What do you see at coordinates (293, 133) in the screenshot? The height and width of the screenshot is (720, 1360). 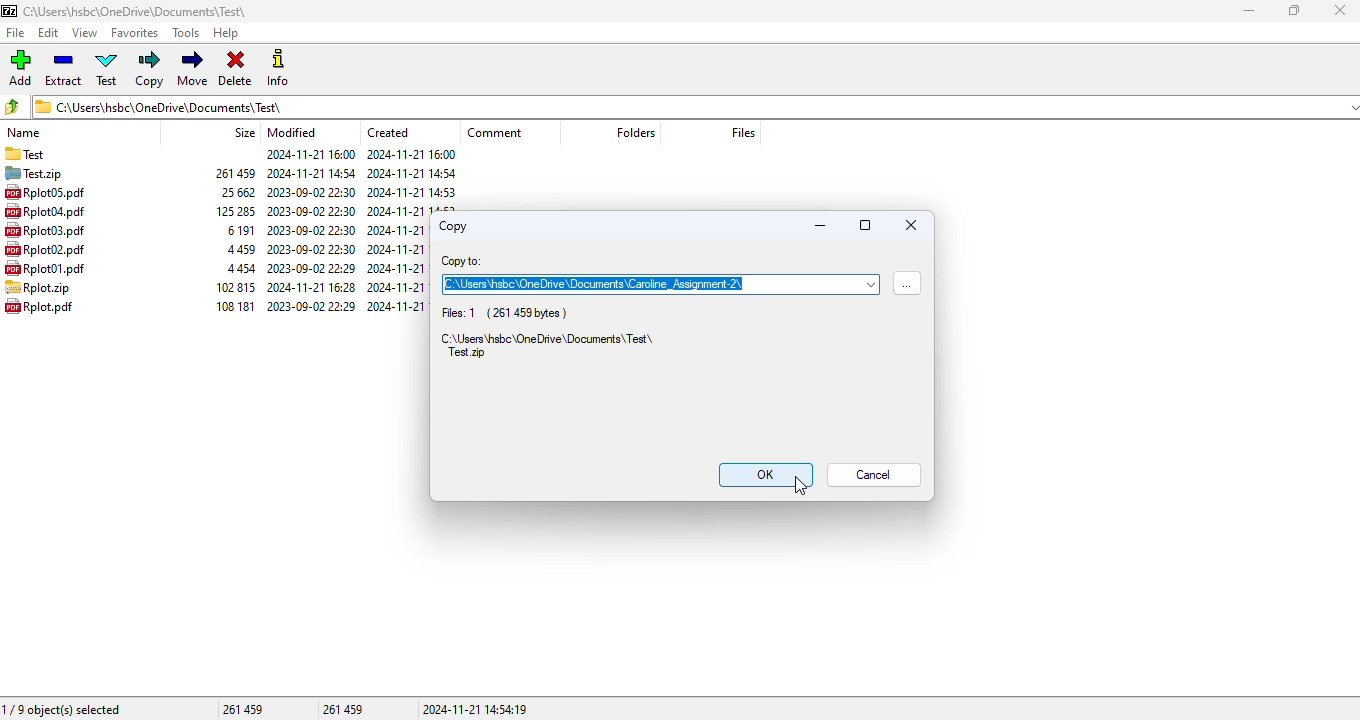 I see `modified` at bounding box center [293, 133].